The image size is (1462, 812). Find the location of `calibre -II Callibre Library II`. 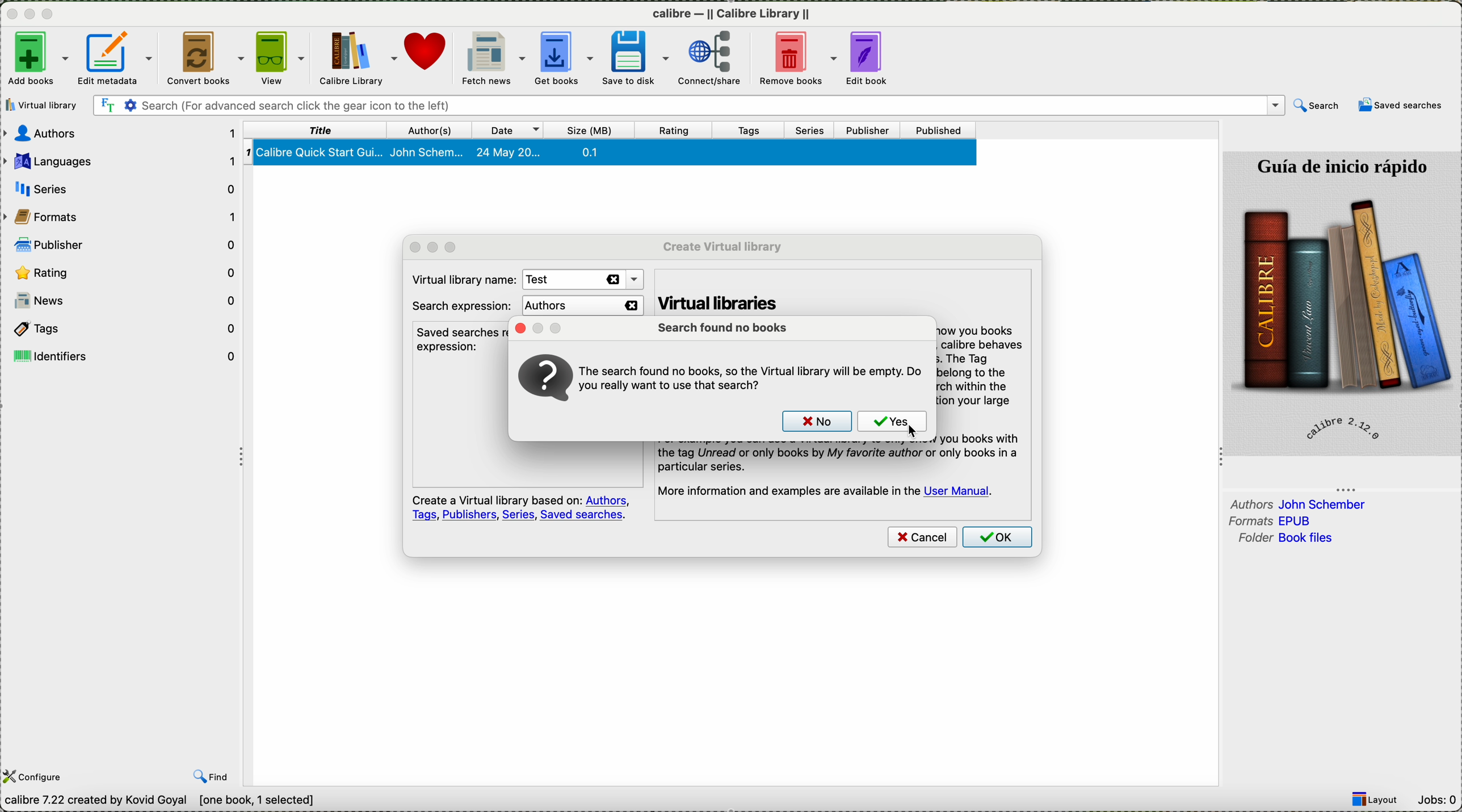

calibre -II Callibre Library II is located at coordinates (732, 16).